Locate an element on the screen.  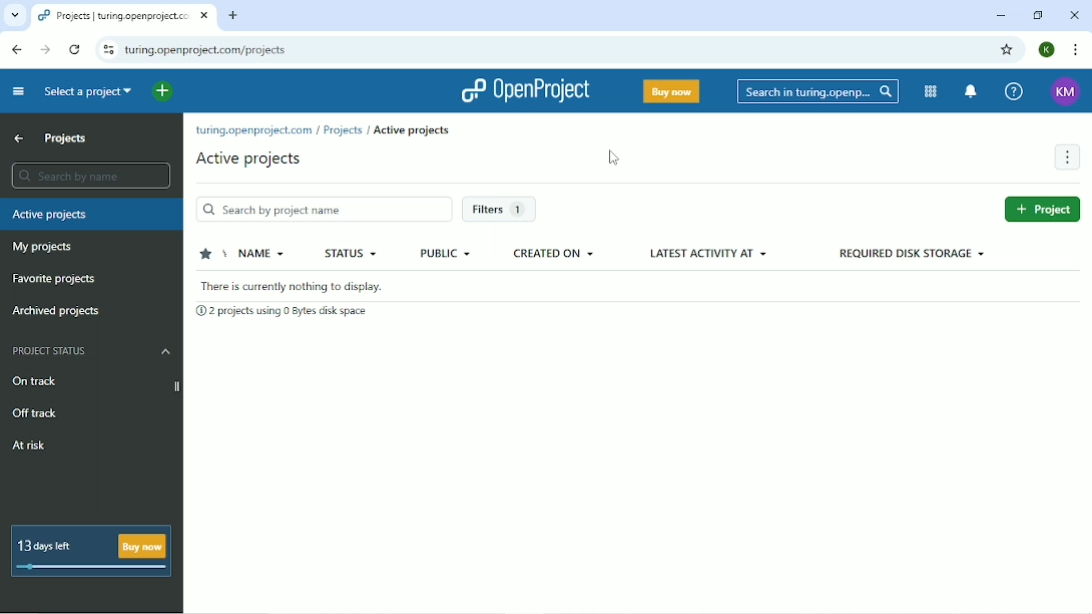
On track is located at coordinates (95, 383).